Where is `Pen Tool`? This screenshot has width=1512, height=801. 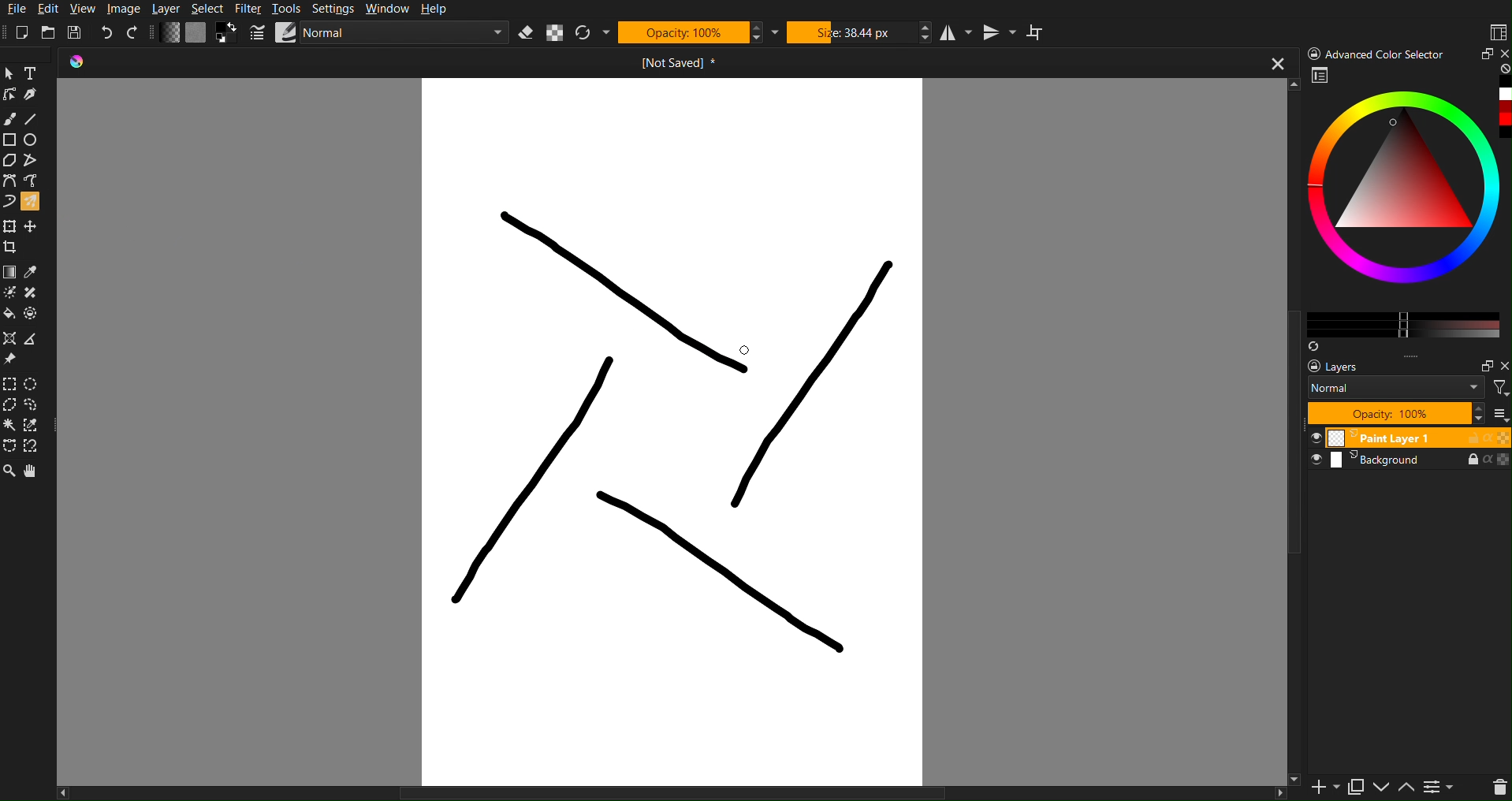 Pen Tool is located at coordinates (35, 95).